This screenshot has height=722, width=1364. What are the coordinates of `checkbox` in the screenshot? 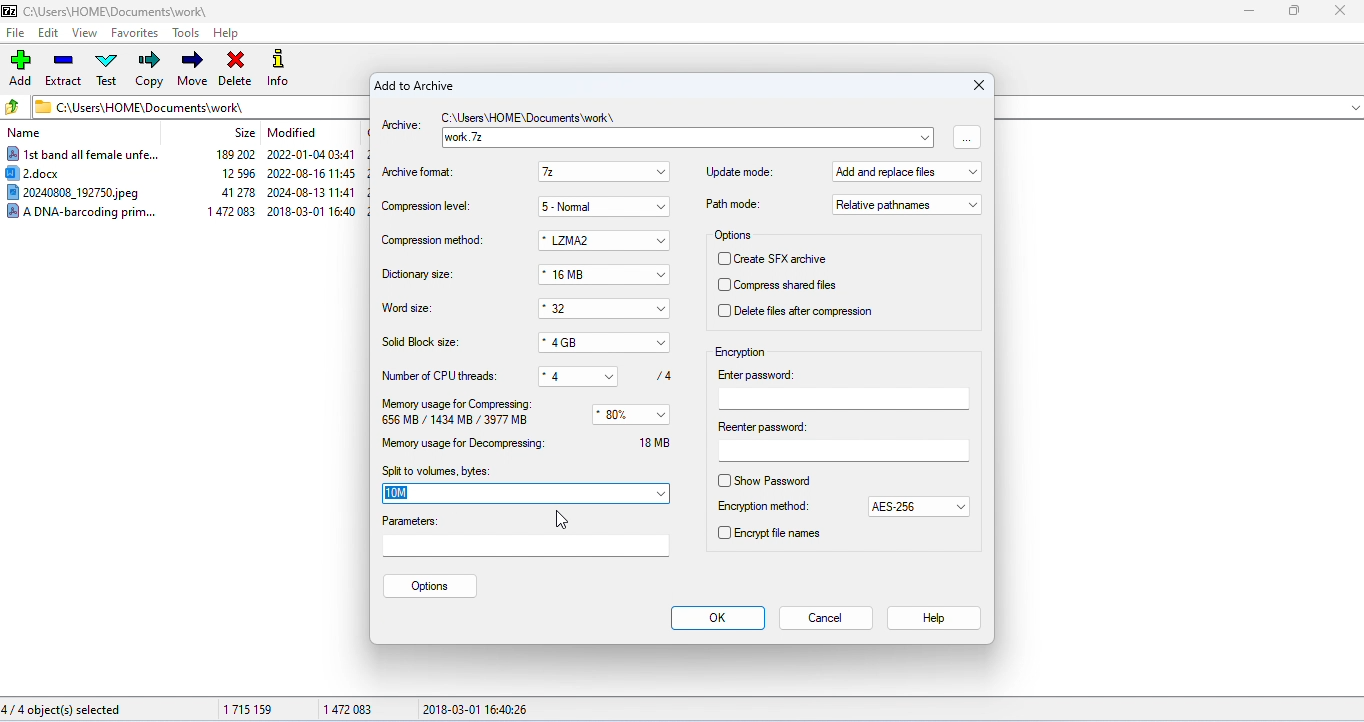 It's located at (723, 286).